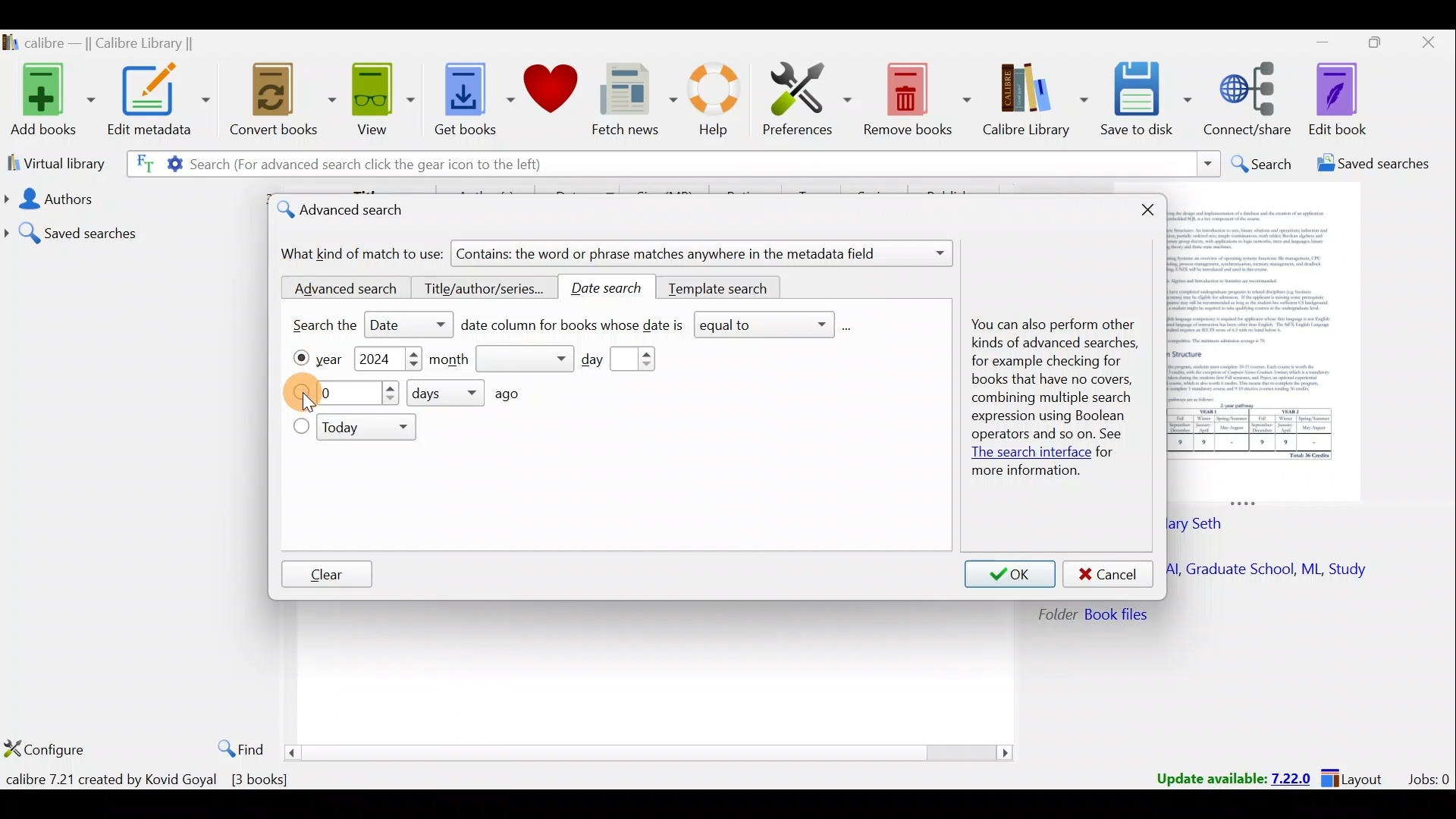  What do you see at coordinates (284, 104) in the screenshot?
I see `Convert books` at bounding box center [284, 104].